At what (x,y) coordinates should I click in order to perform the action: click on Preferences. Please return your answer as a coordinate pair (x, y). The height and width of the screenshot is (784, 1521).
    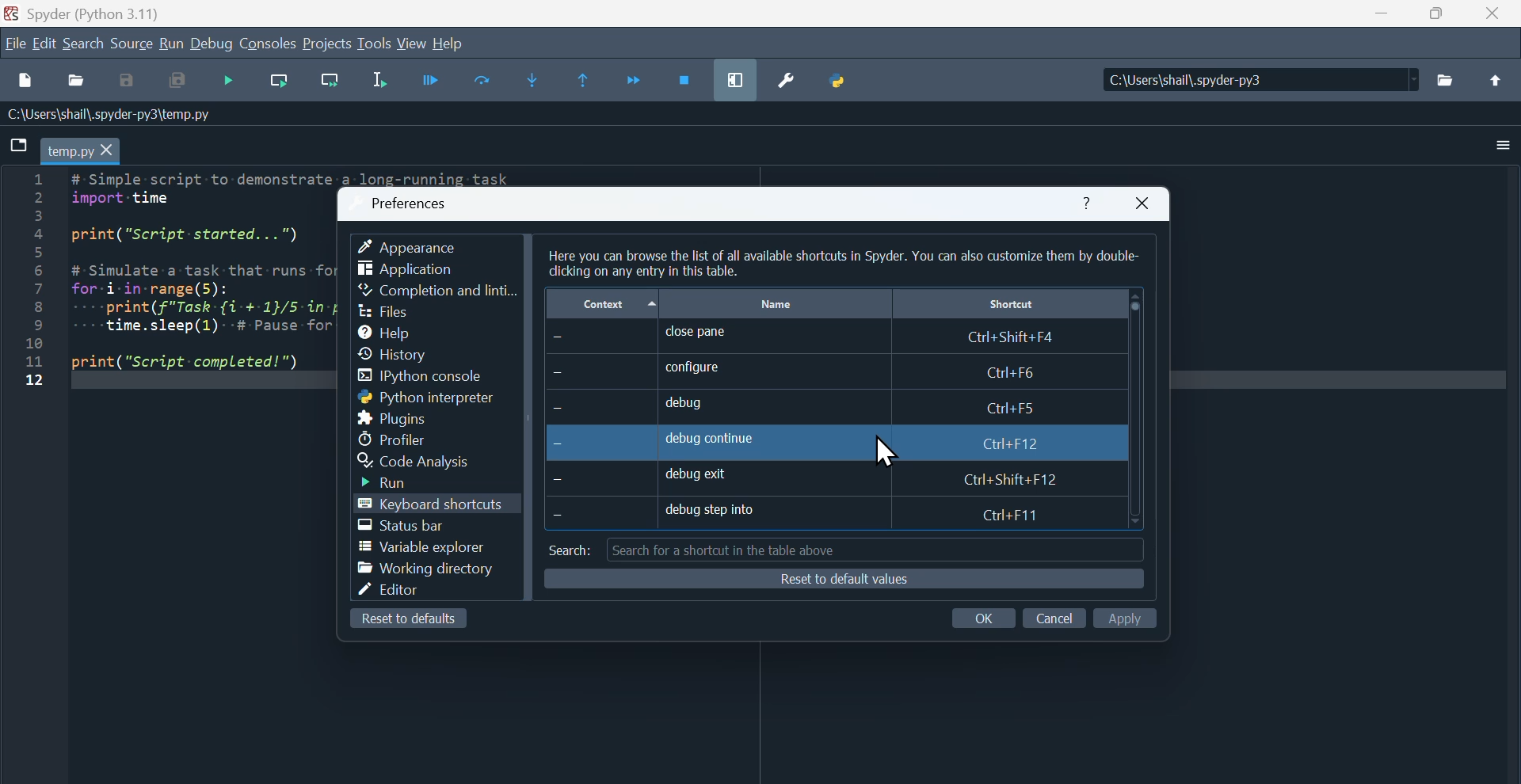
    Looking at the image, I should click on (413, 199).